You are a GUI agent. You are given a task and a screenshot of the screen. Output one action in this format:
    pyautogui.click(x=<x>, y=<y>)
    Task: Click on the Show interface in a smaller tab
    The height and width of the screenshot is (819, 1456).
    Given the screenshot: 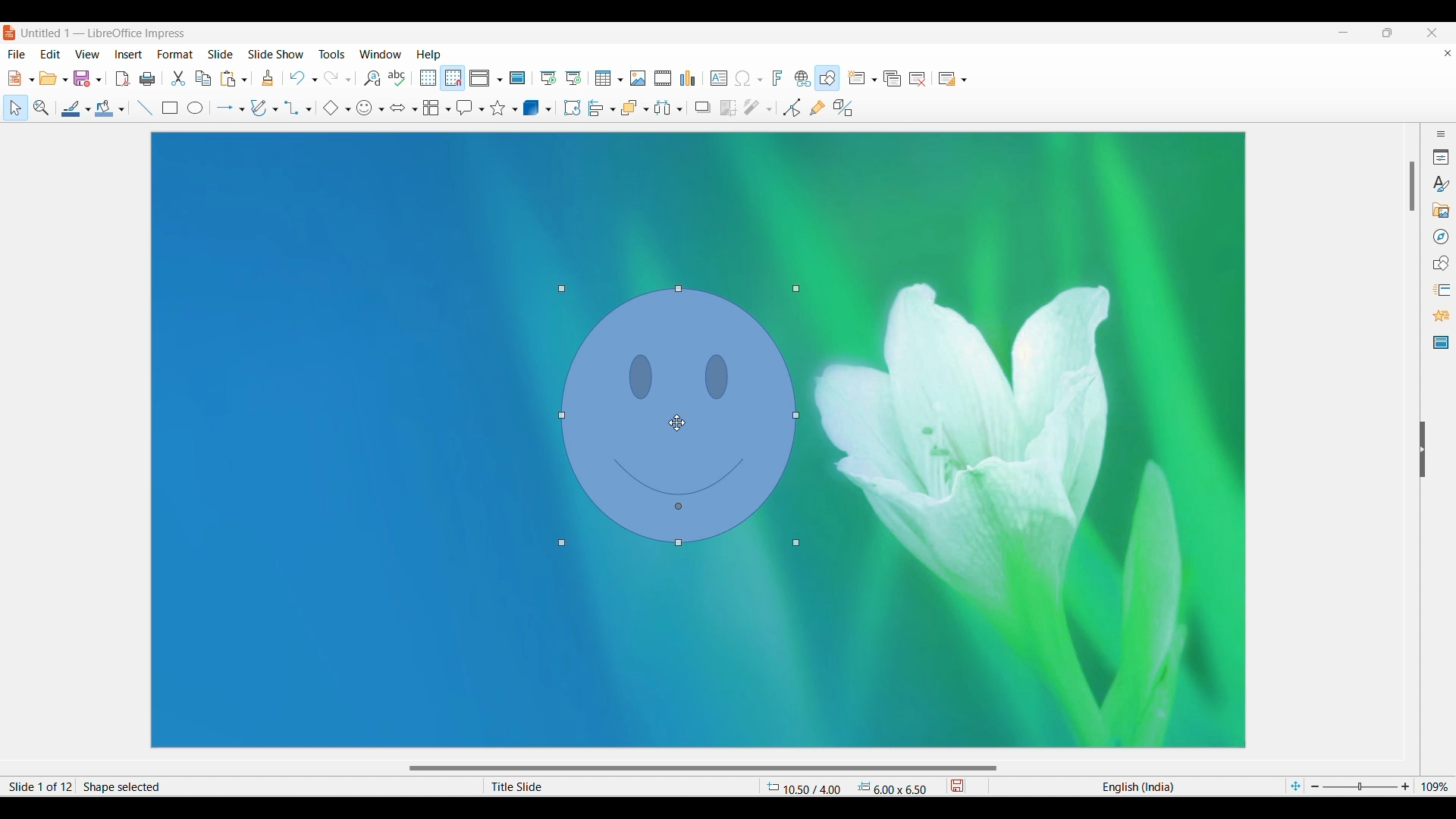 What is the action you would take?
    pyautogui.click(x=1388, y=33)
    